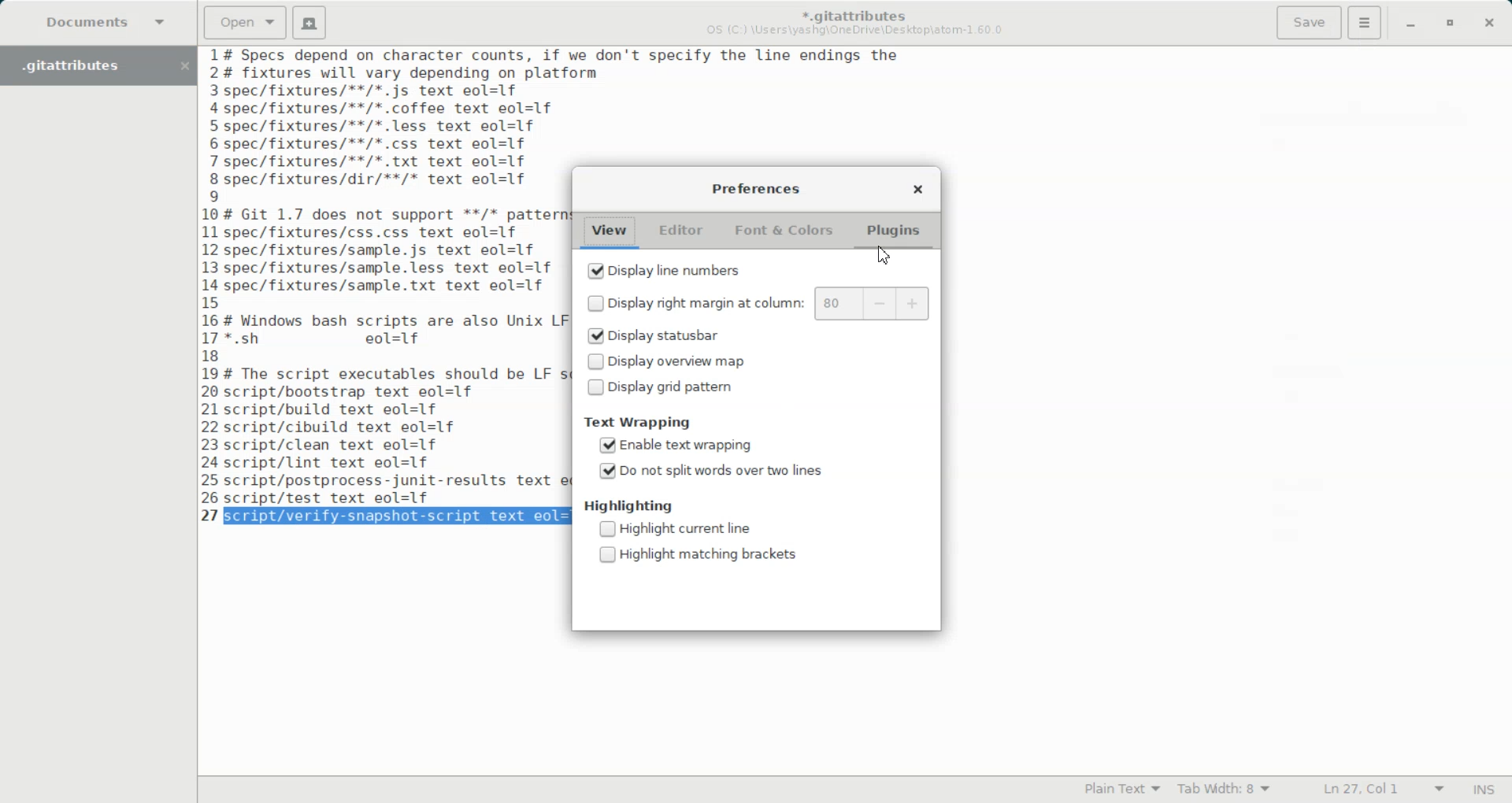 The width and height of the screenshot is (1512, 803). I want to click on Preferences, so click(754, 188).